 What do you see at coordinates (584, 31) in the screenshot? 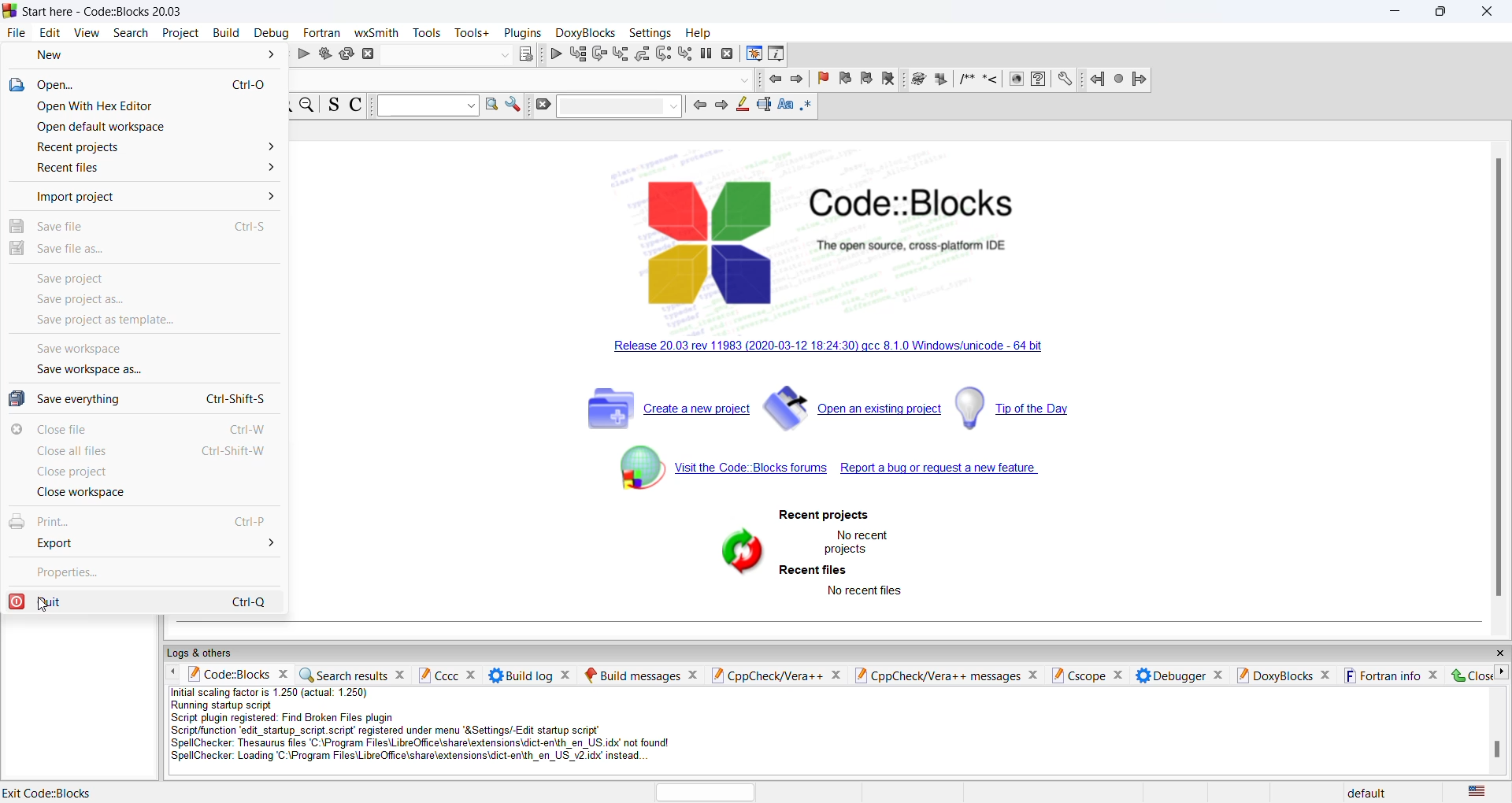
I see `doxyBlocks` at bounding box center [584, 31].